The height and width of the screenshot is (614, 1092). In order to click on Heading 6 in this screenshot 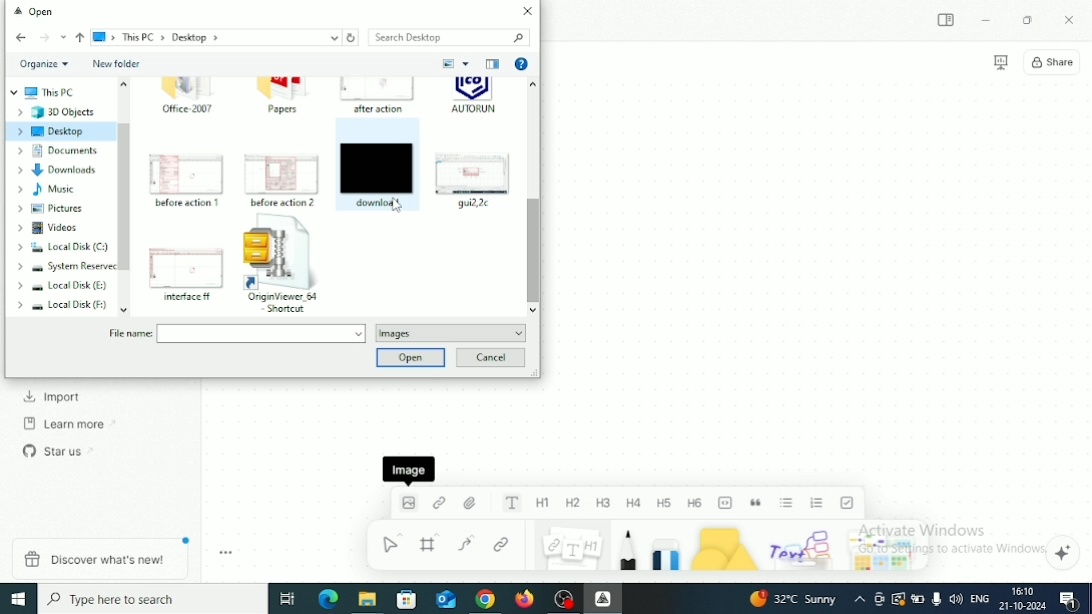, I will do `click(696, 502)`.